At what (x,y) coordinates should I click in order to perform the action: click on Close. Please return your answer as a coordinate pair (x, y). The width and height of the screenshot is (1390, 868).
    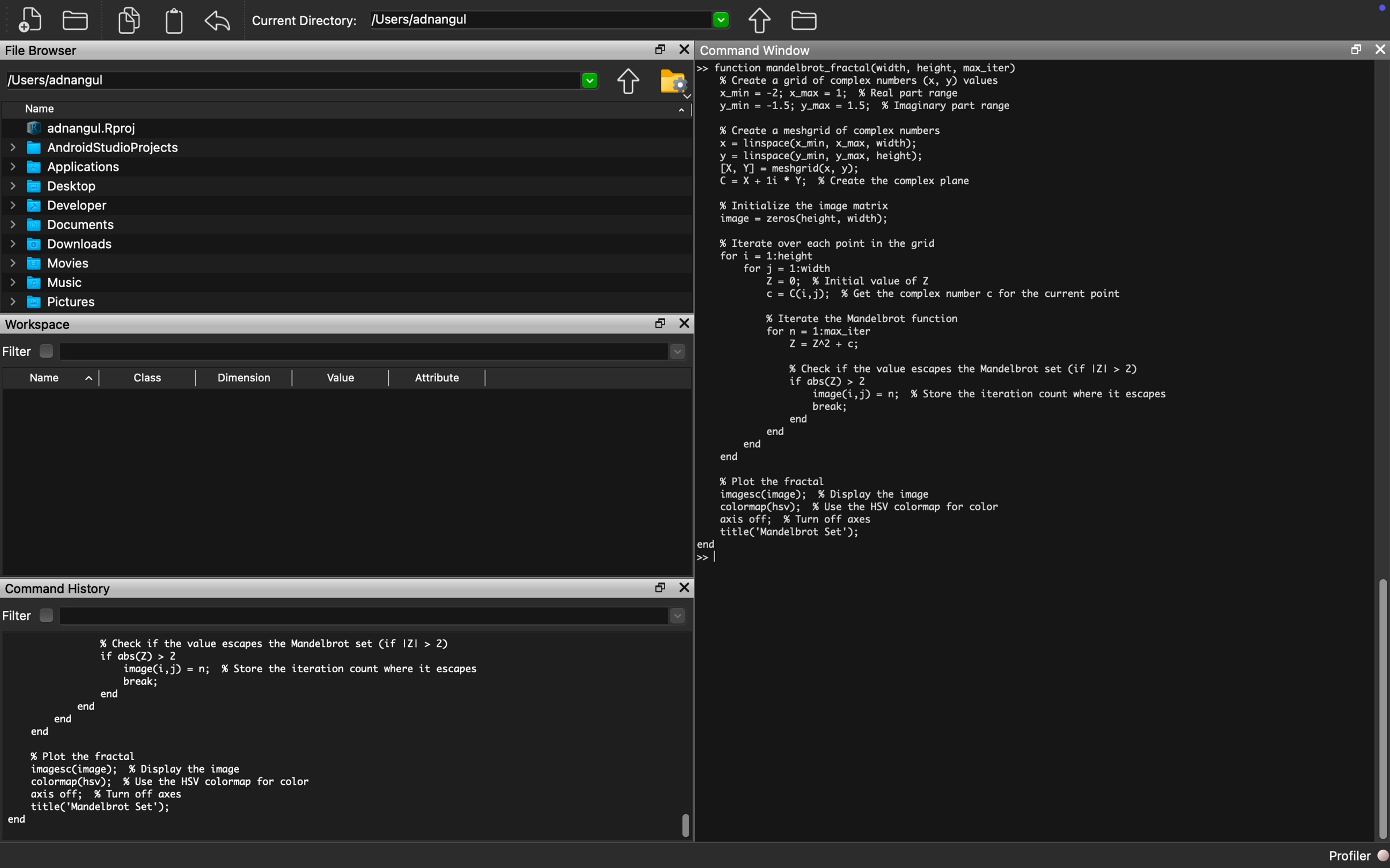
    Looking at the image, I should click on (684, 49).